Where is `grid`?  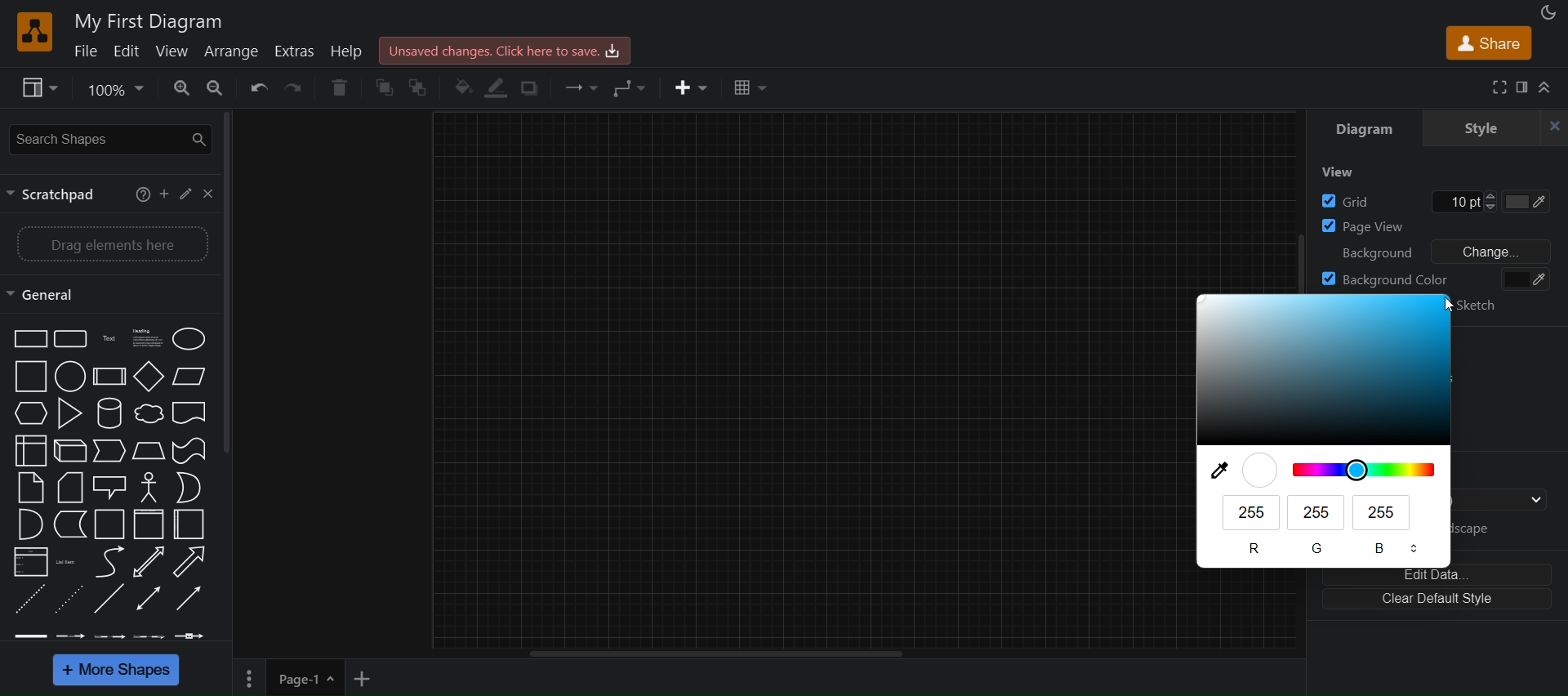 grid is located at coordinates (1433, 199).